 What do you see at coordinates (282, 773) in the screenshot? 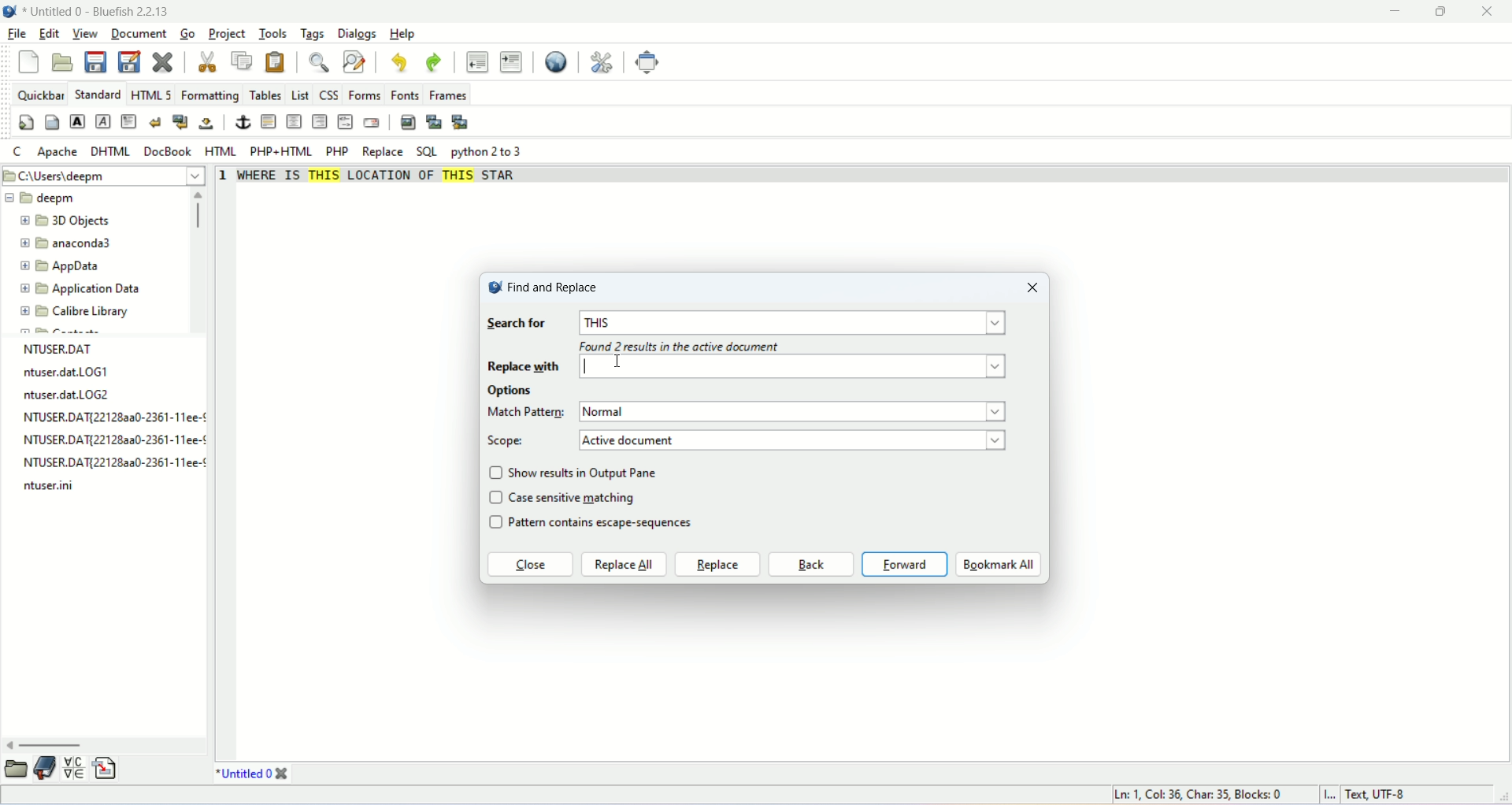
I see `close` at bounding box center [282, 773].